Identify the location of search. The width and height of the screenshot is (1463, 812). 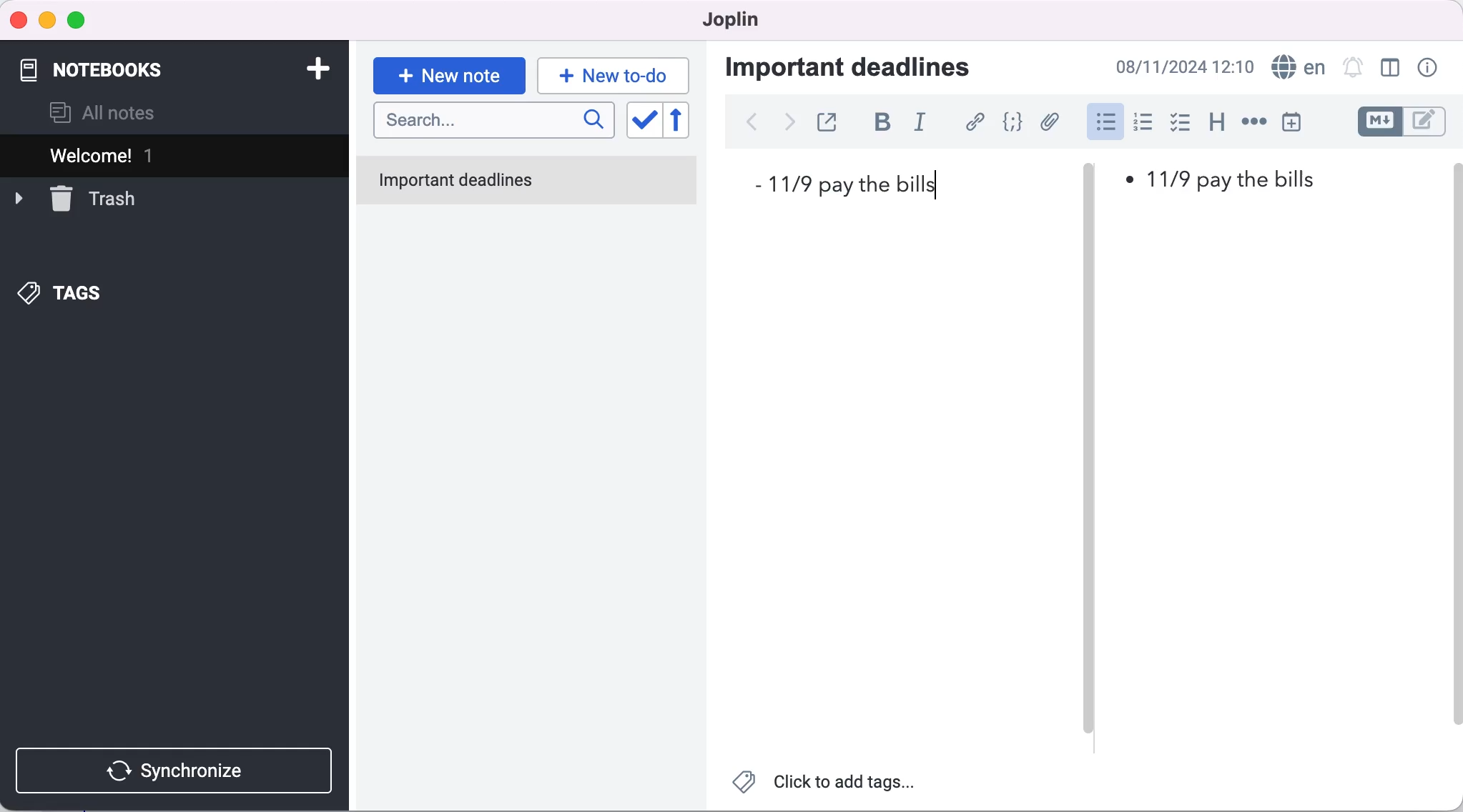
(493, 122).